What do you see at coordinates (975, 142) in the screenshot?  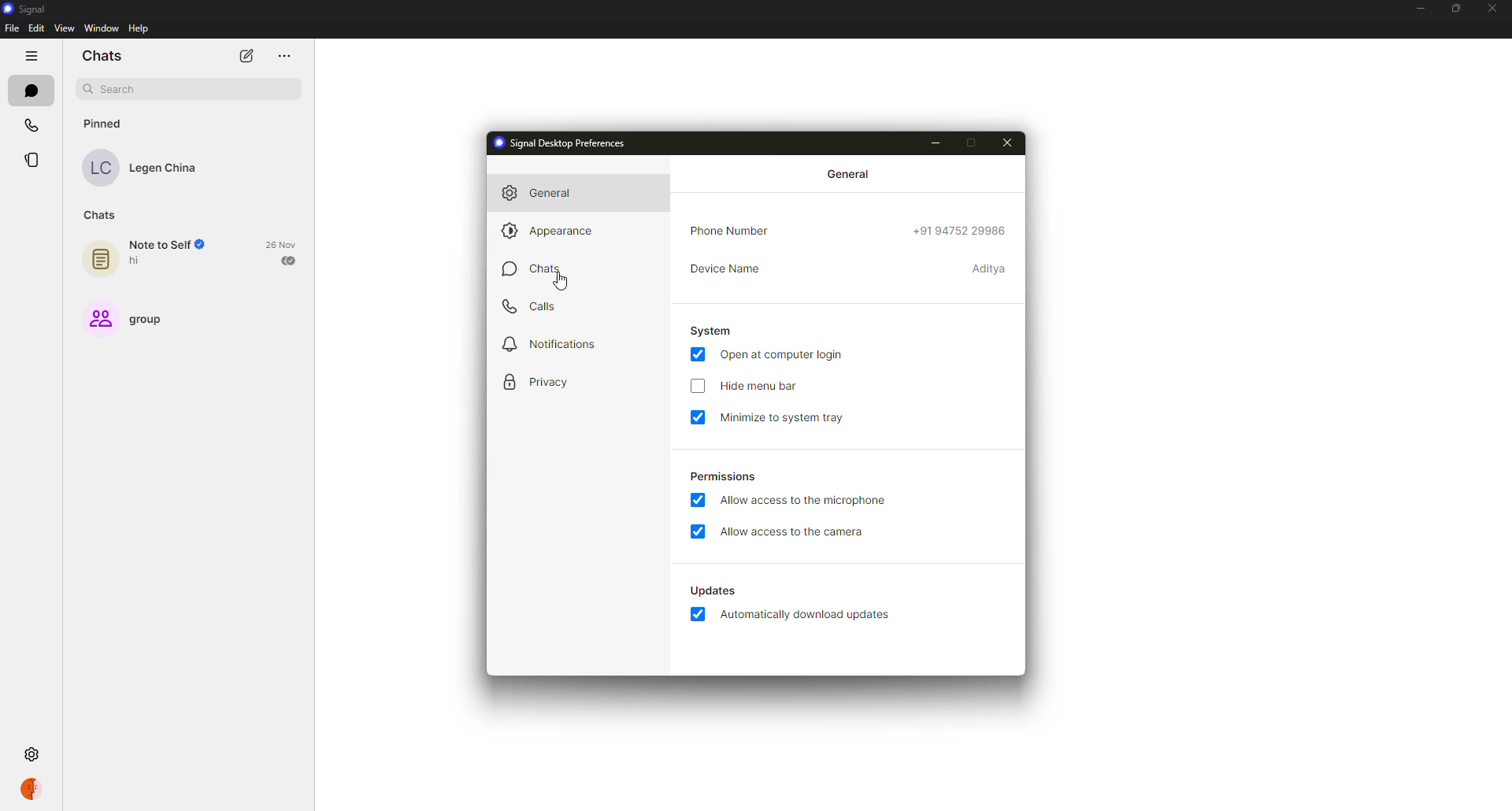 I see `maximize` at bounding box center [975, 142].